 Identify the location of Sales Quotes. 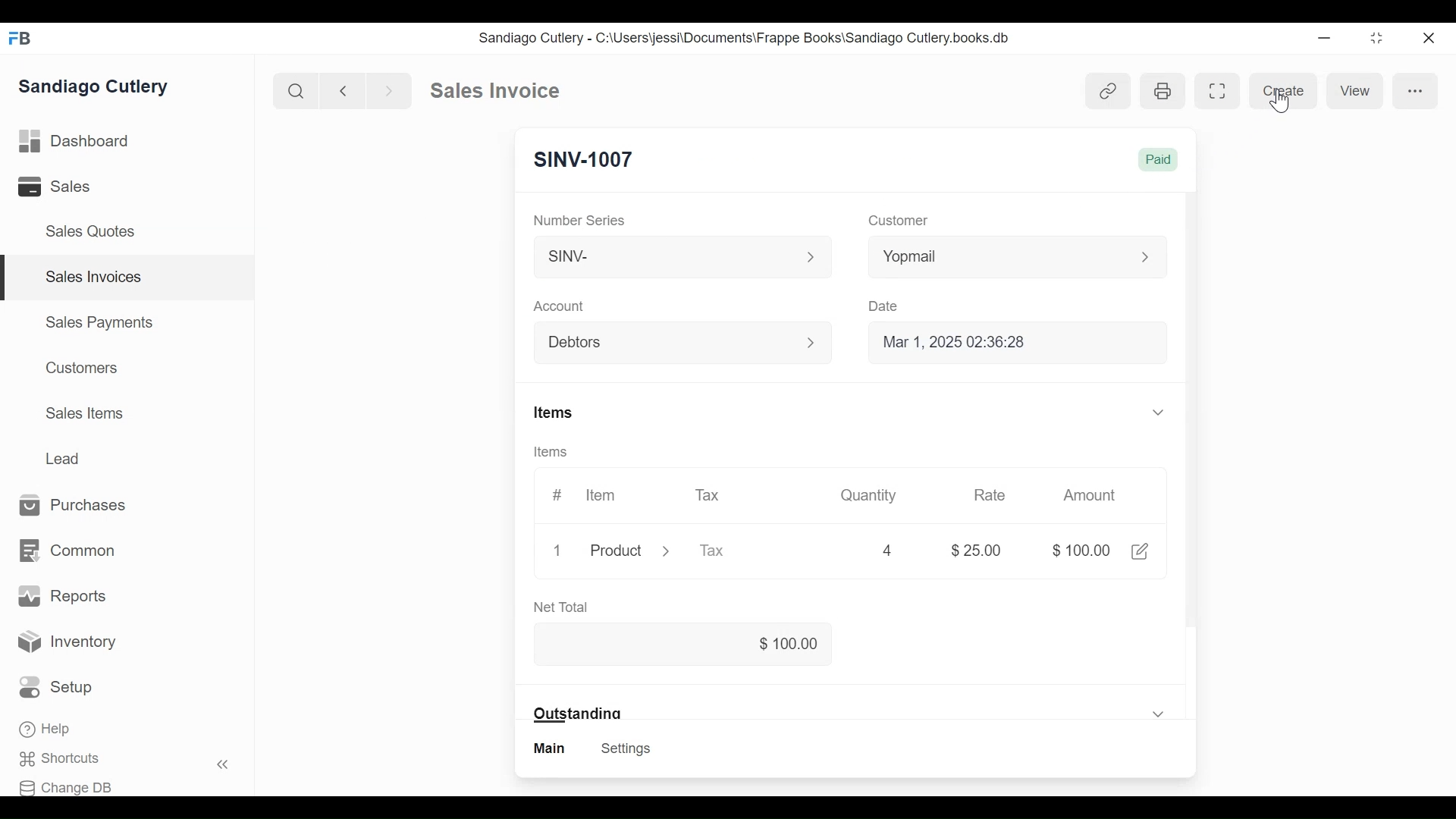
(93, 231).